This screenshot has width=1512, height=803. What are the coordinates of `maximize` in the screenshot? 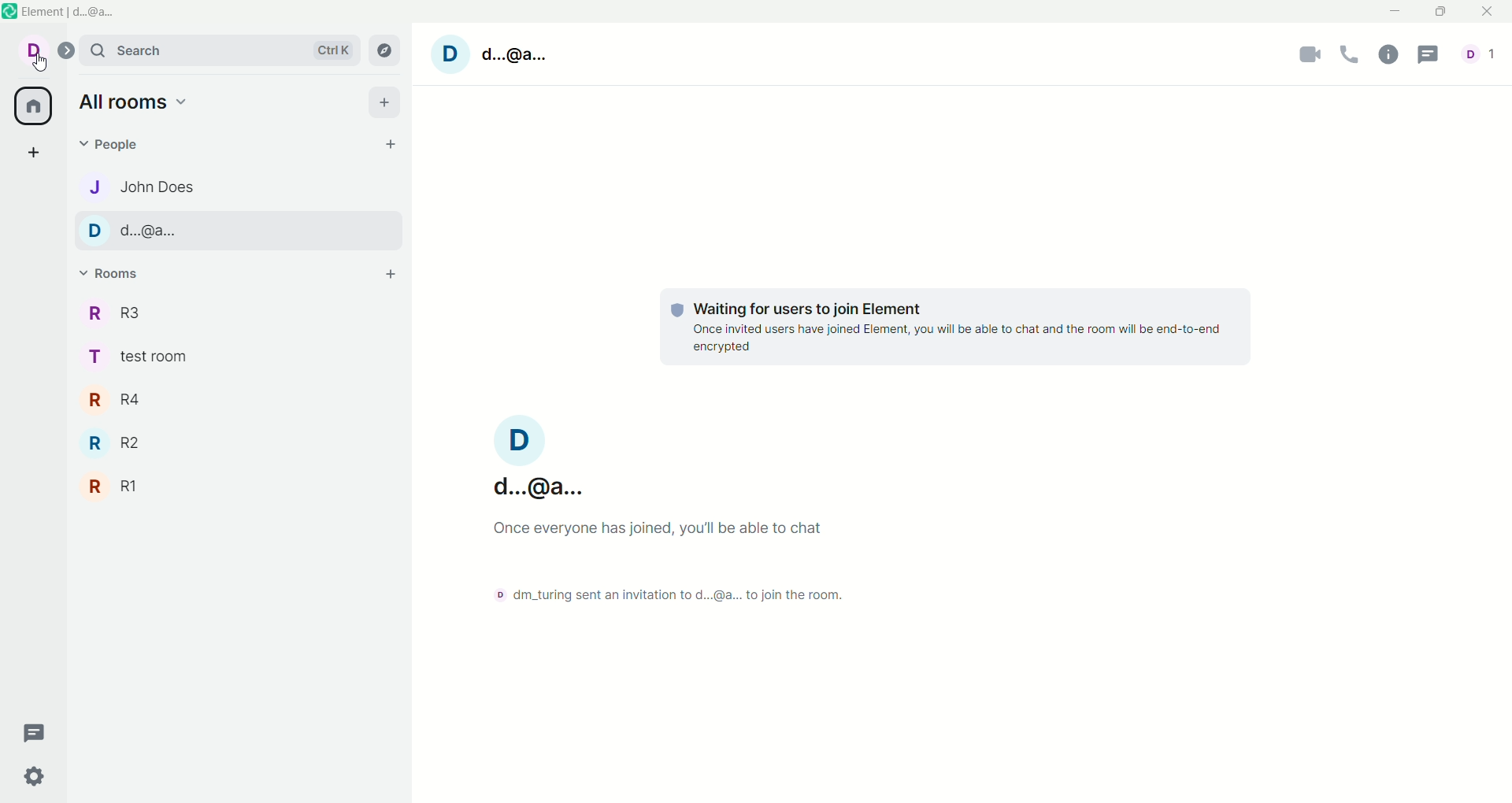 It's located at (1440, 12).